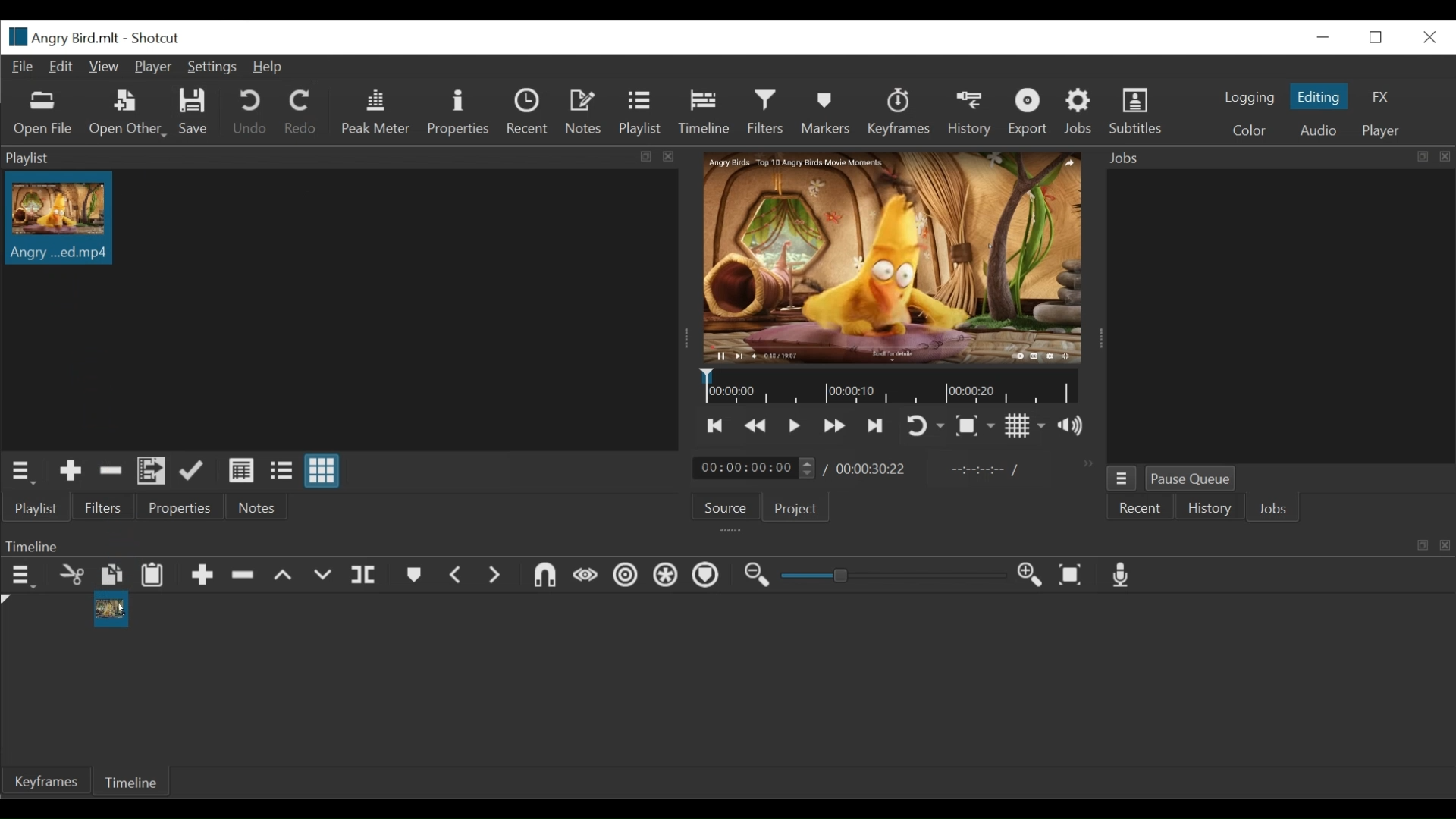 The width and height of the screenshot is (1456, 819). What do you see at coordinates (111, 575) in the screenshot?
I see `Paste` at bounding box center [111, 575].